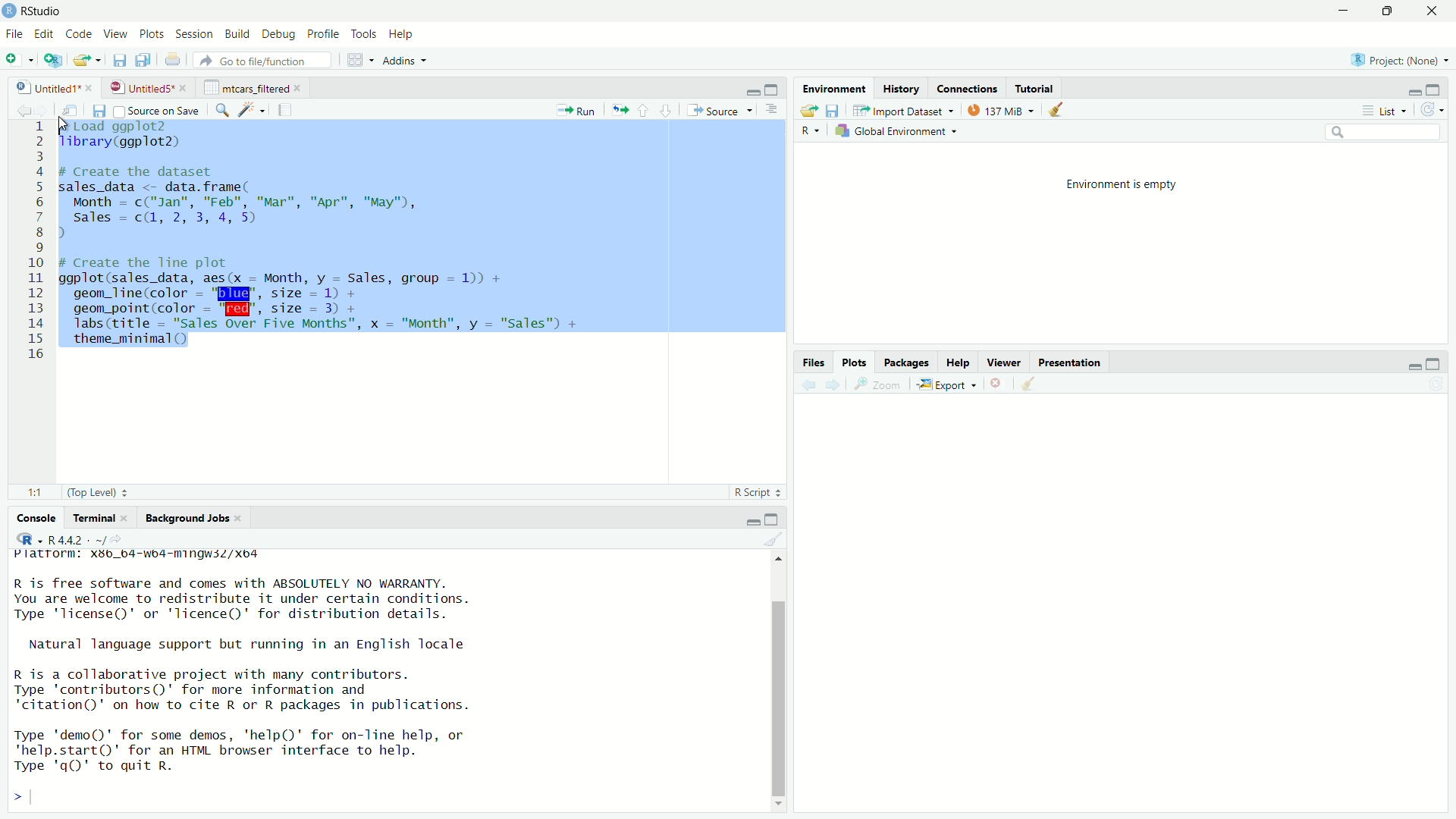 This screenshot has height=819, width=1456. What do you see at coordinates (577, 111) in the screenshot?
I see `run current file` at bounding box center [577, 111].